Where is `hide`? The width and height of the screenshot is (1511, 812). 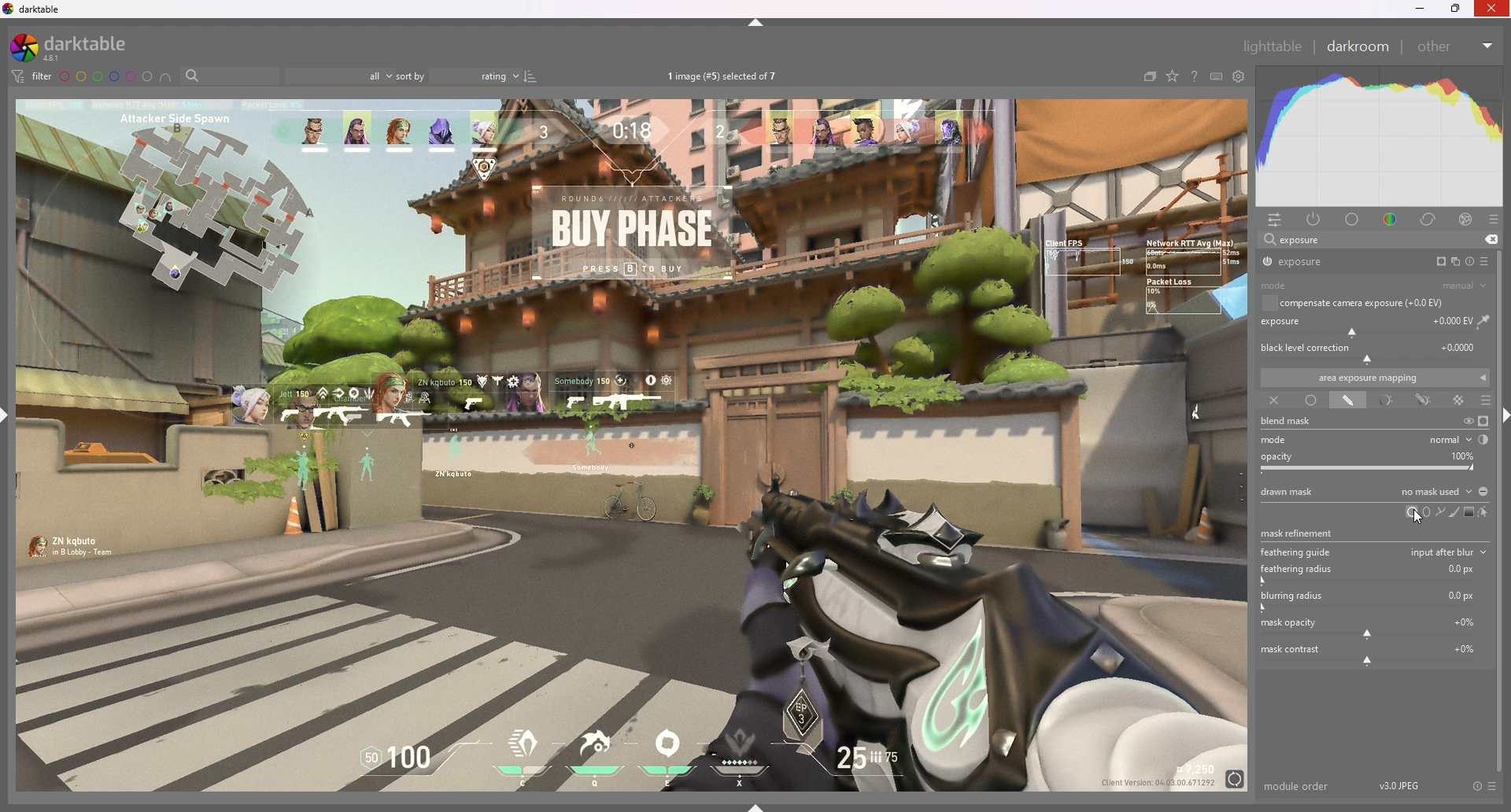 hide is located at coordinates (756, 23).